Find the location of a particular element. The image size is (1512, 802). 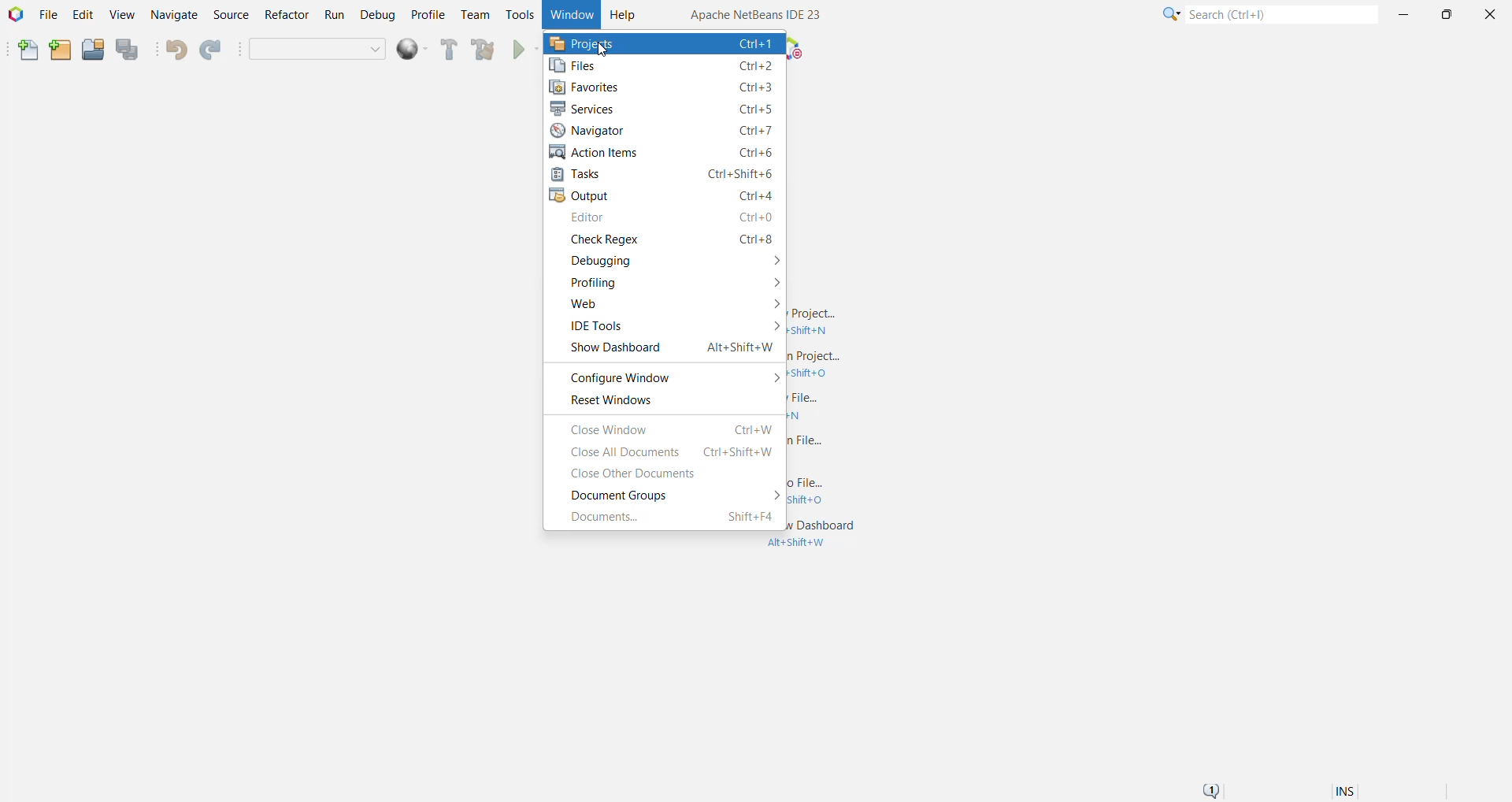

no options dropdown is located at coordinates (315, 50).